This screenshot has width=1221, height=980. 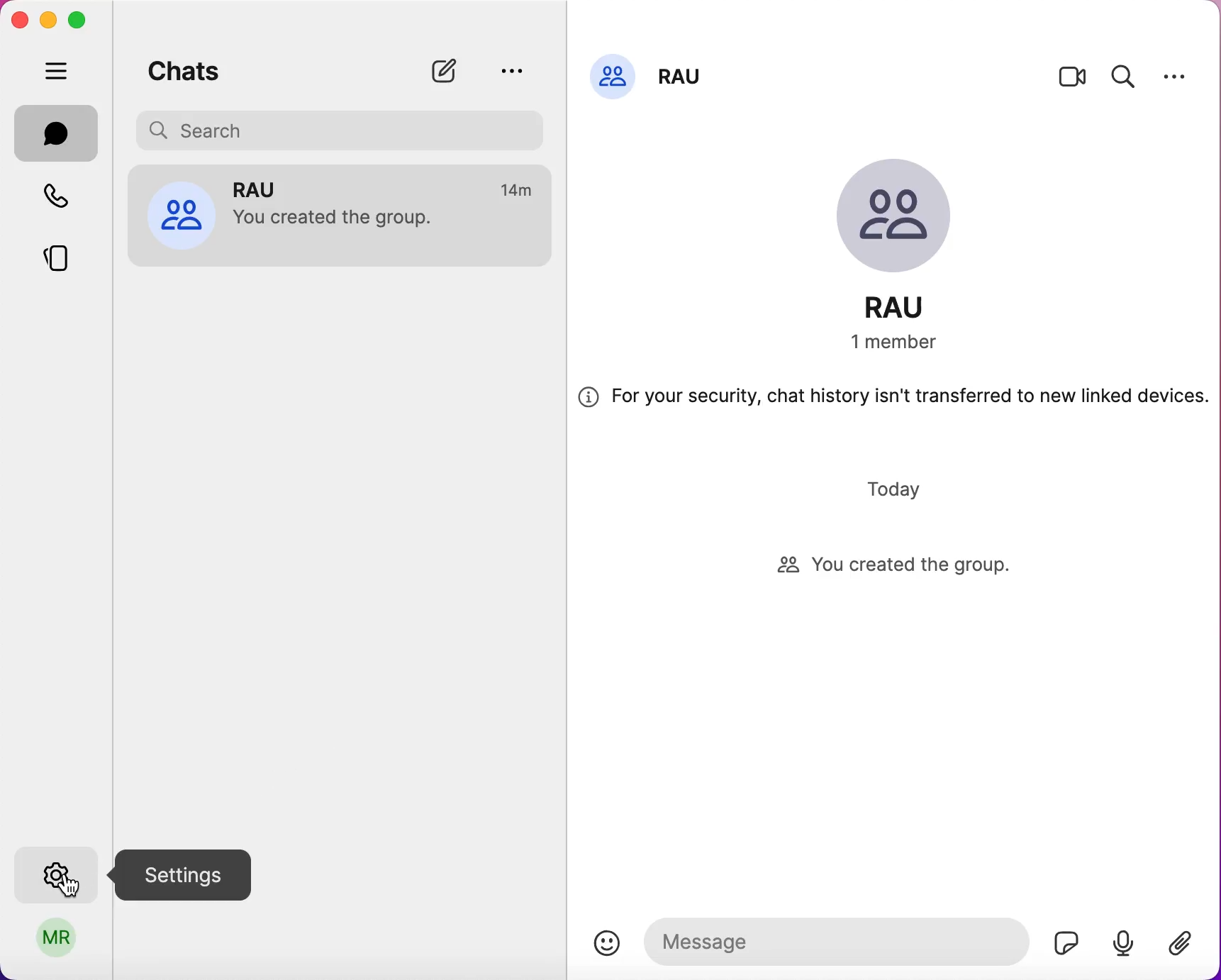 I want to click on 14m, so click(x=515, y=187).